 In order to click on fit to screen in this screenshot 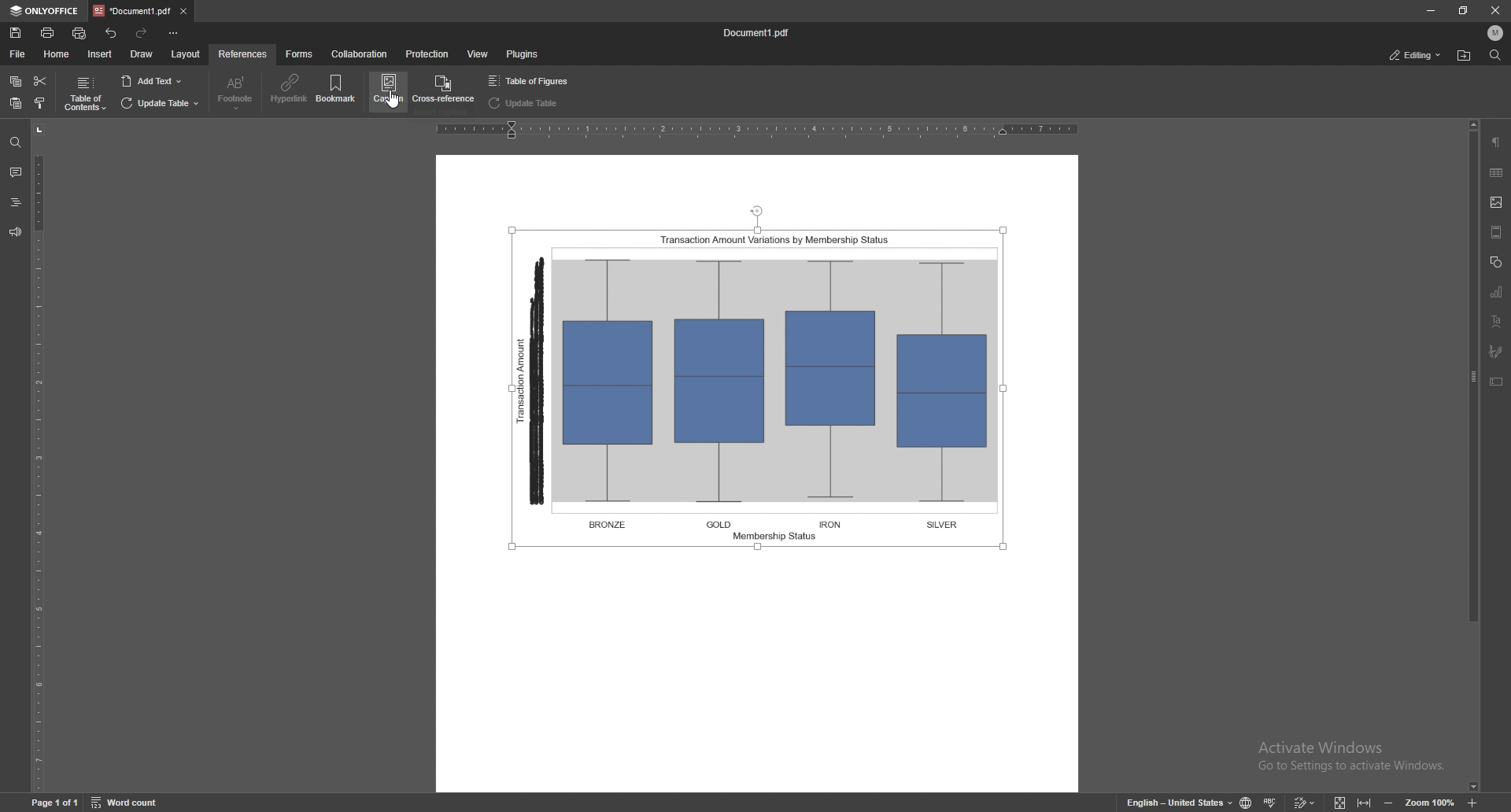, I will do `click(1341, 801)`.